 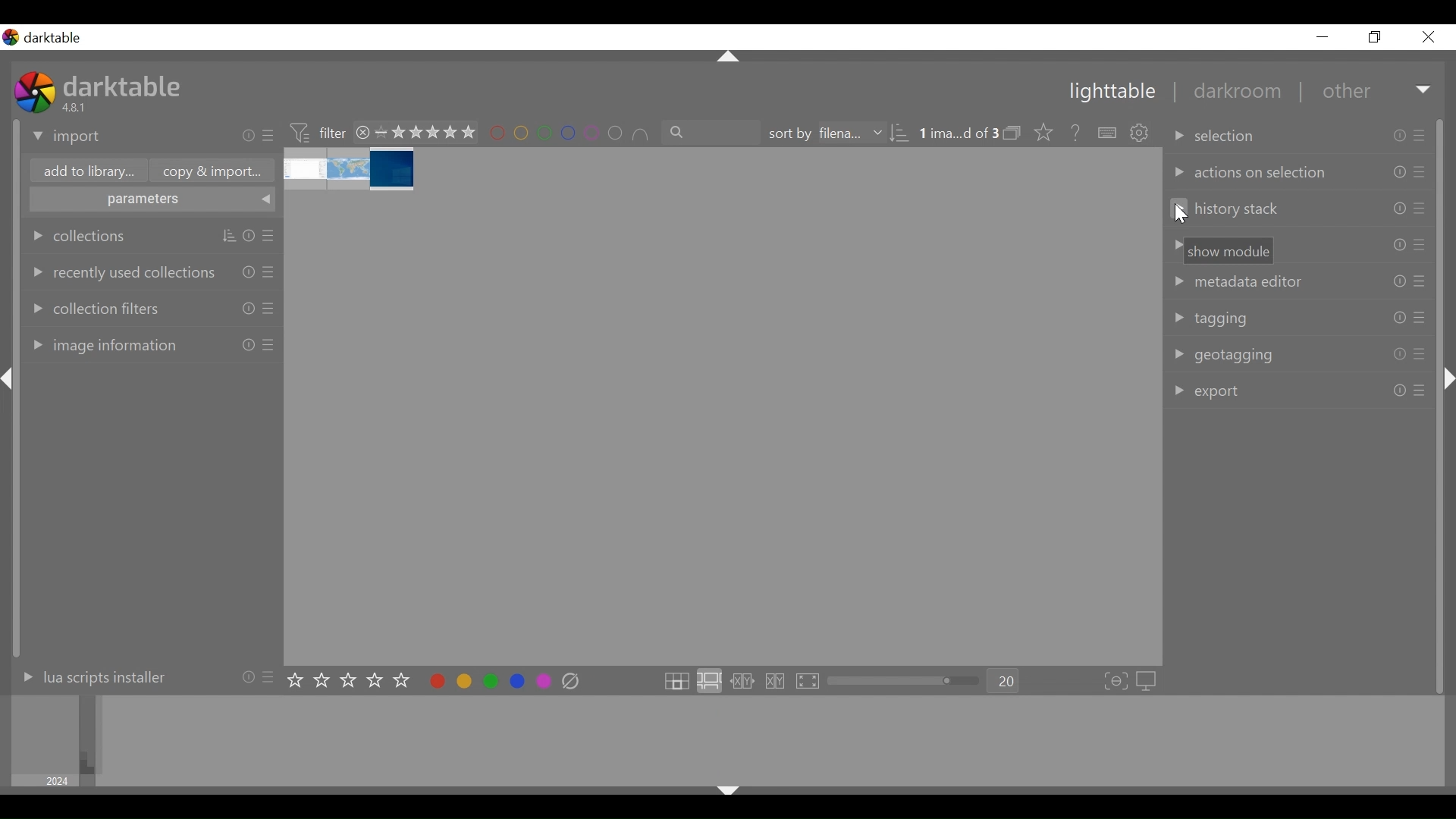 What do you see at coordinates (809, 682) in the screenshot?
I see `click to enter full preview layout` at bounding box center [809, 682].